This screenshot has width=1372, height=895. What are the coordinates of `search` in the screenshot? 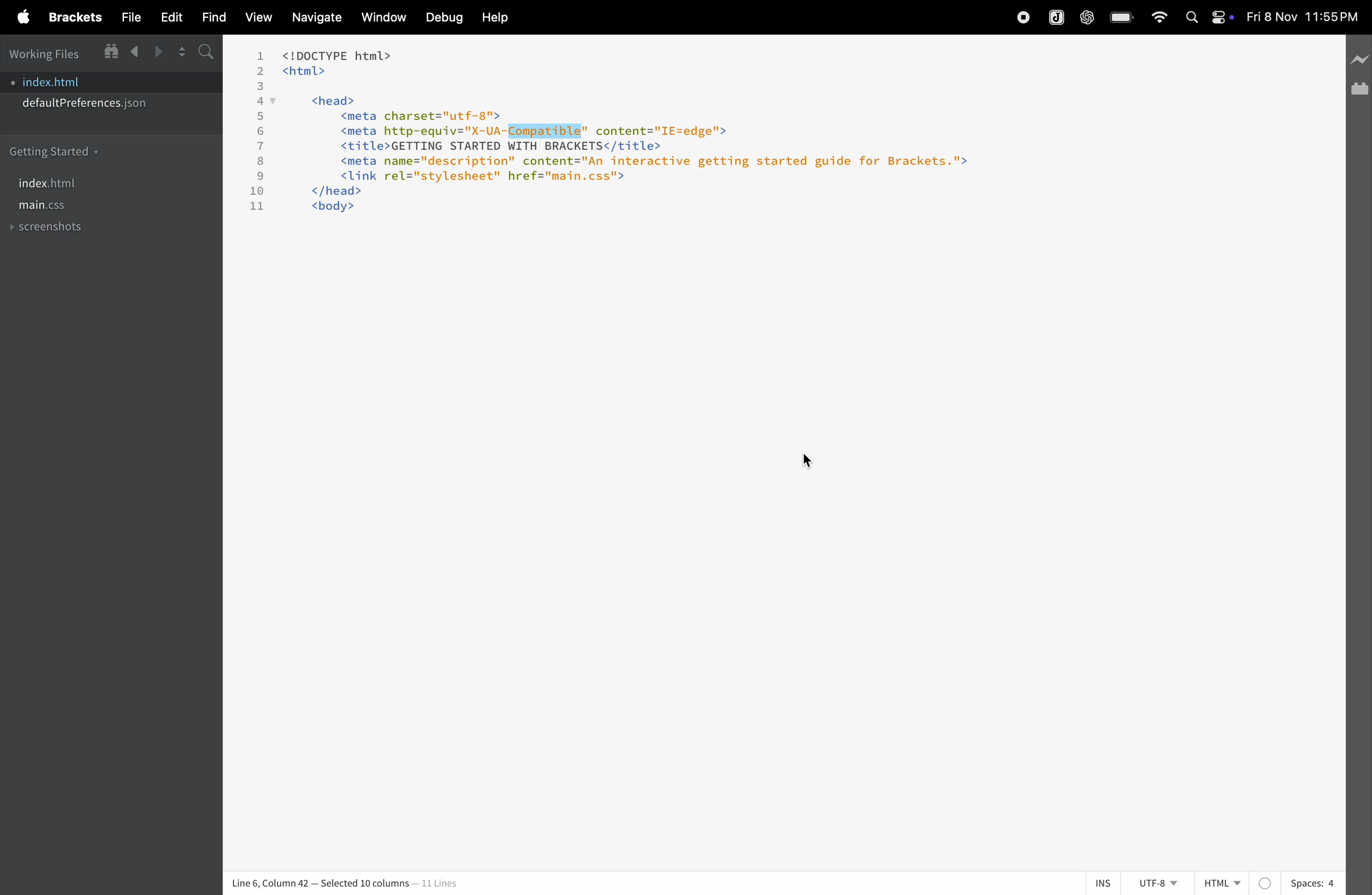 It's located at (205, 51).